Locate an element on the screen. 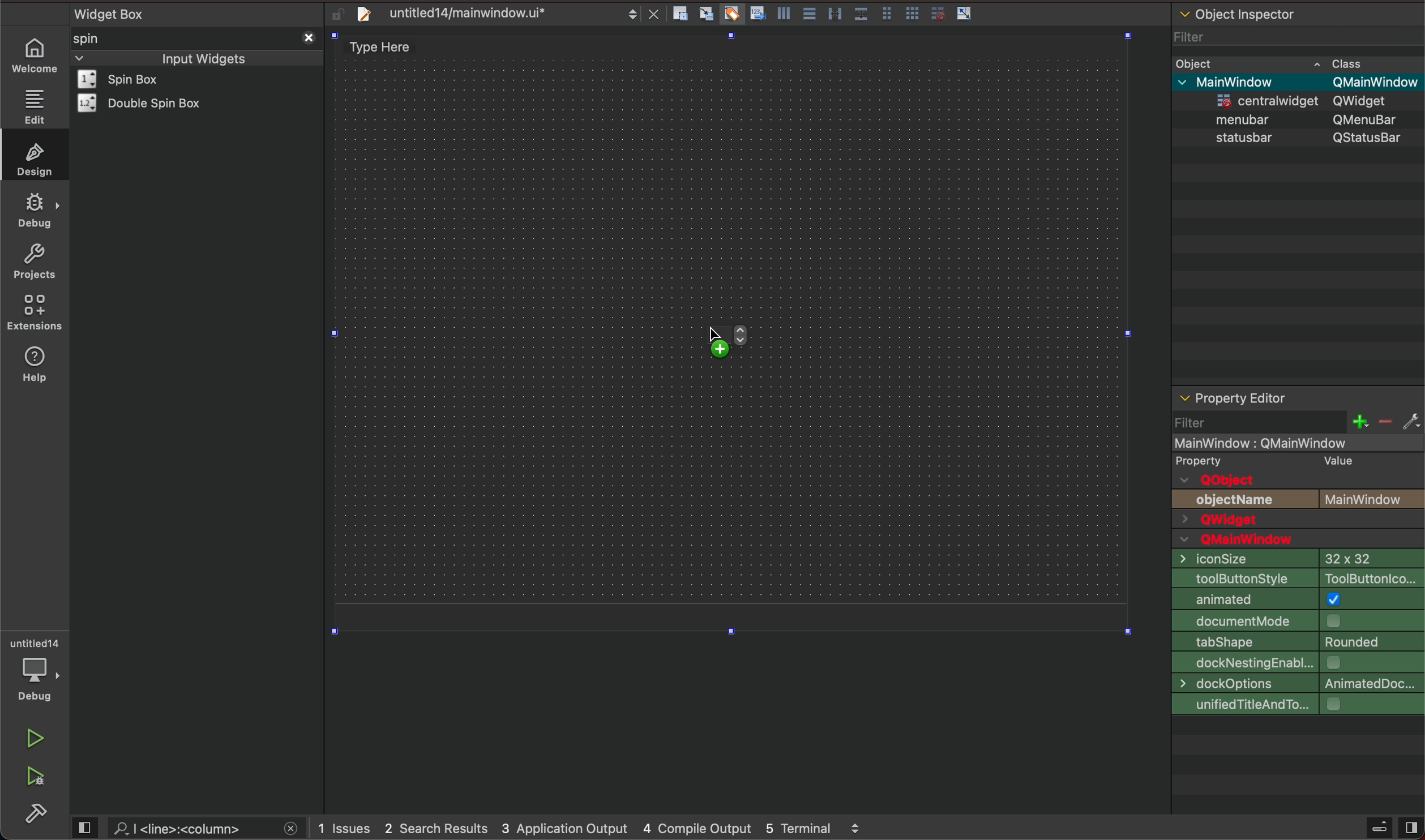  text is located at coordinates (1213, 460).